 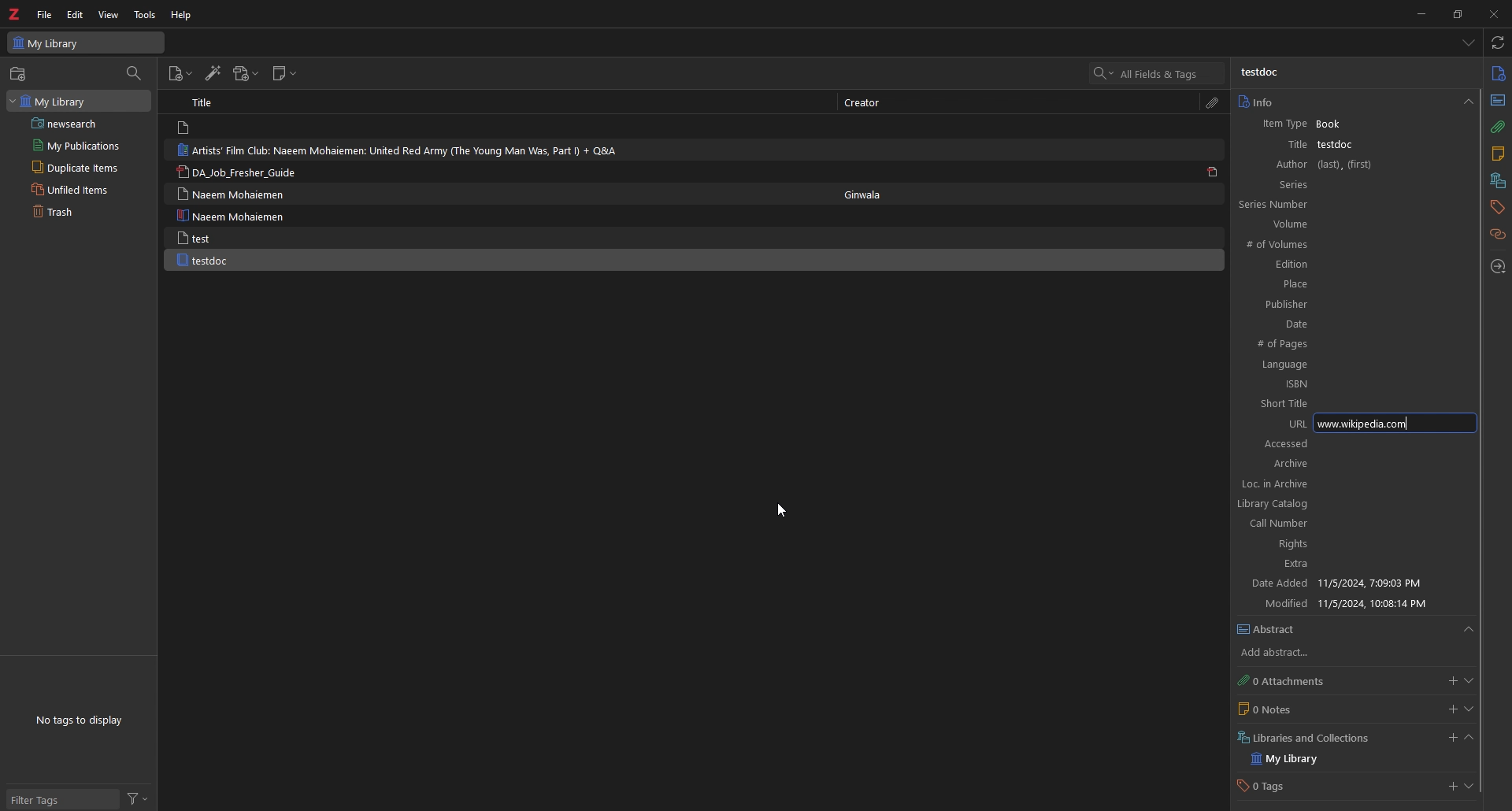 What do you see at coordinates (137, 799) in the screenshot?
I see `filter` at bounding box center [137, 799].